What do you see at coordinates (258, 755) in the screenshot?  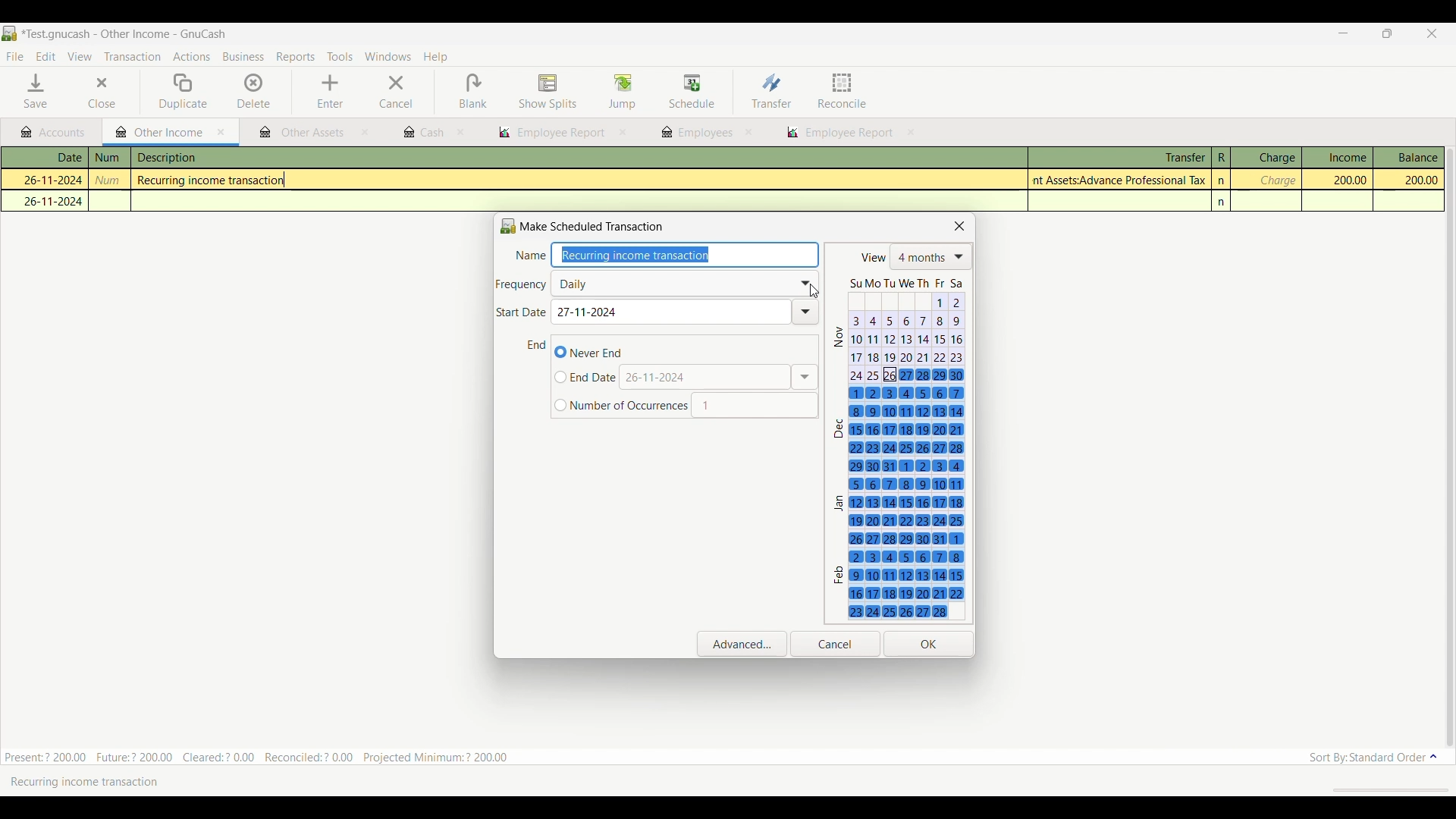 I see `Present:? 200.00 Future:? 200.00 Cleared:? 0.00 Reconciled:? 0.00 Projected Minimum: ? 200.00` at bounding box center [258, 755].